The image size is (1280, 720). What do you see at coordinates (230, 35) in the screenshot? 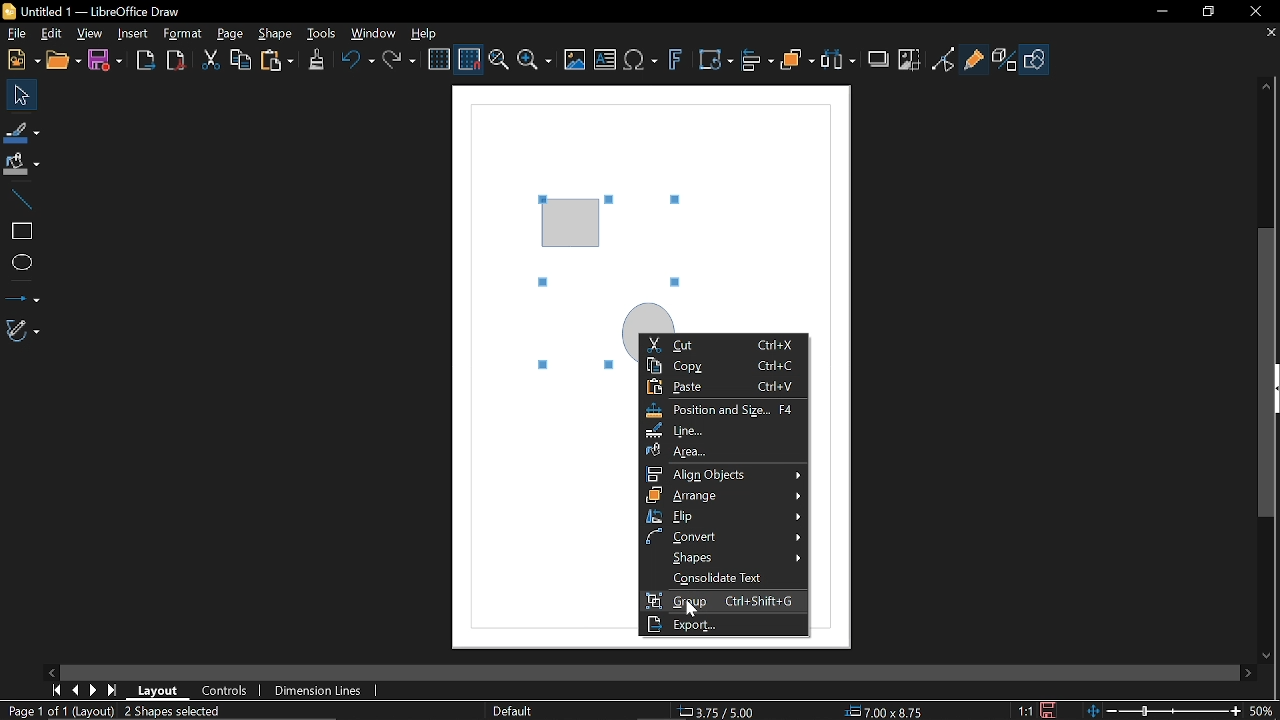
I see `Page` at bounding box center [230, 35].